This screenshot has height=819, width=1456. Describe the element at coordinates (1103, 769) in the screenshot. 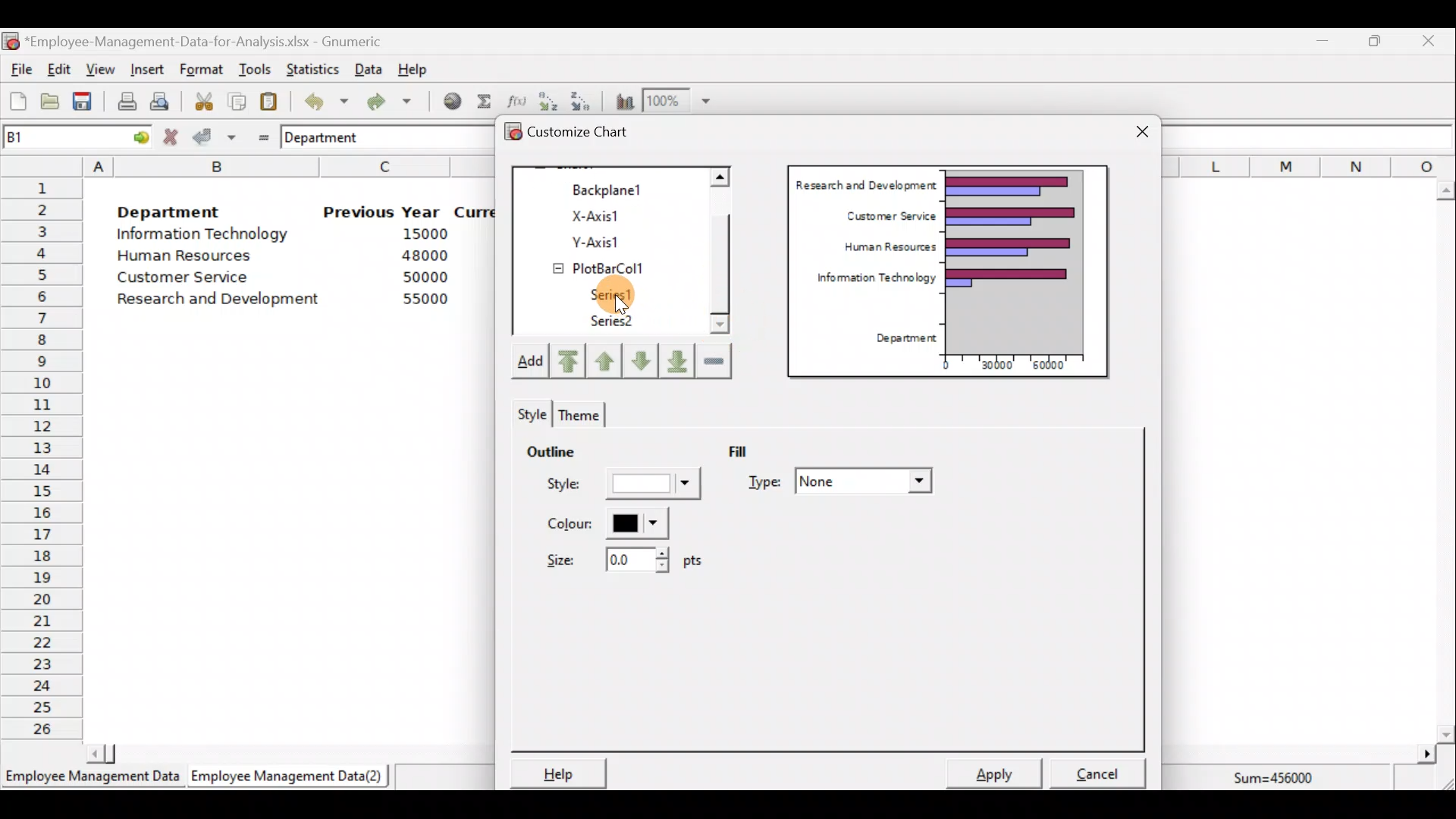

I see `Cancel` at that location.